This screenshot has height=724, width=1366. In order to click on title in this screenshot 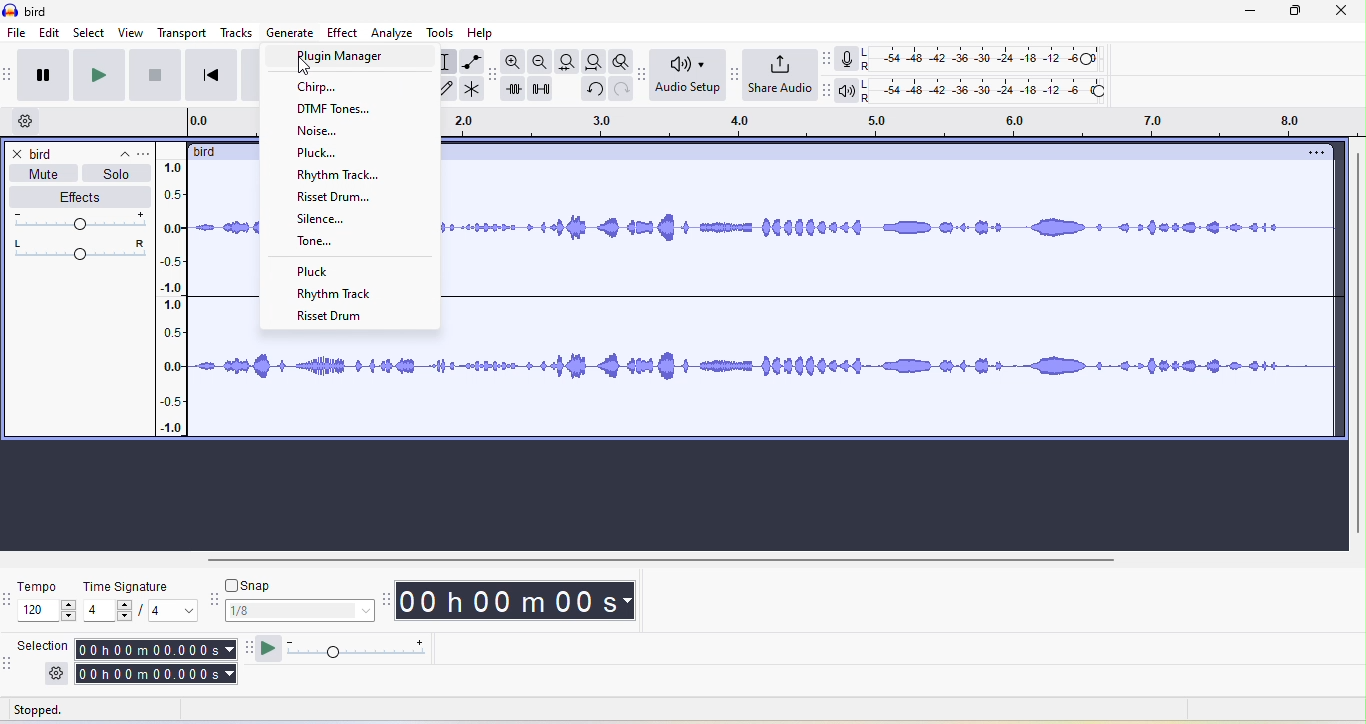, I will do `click(30, 9)`.